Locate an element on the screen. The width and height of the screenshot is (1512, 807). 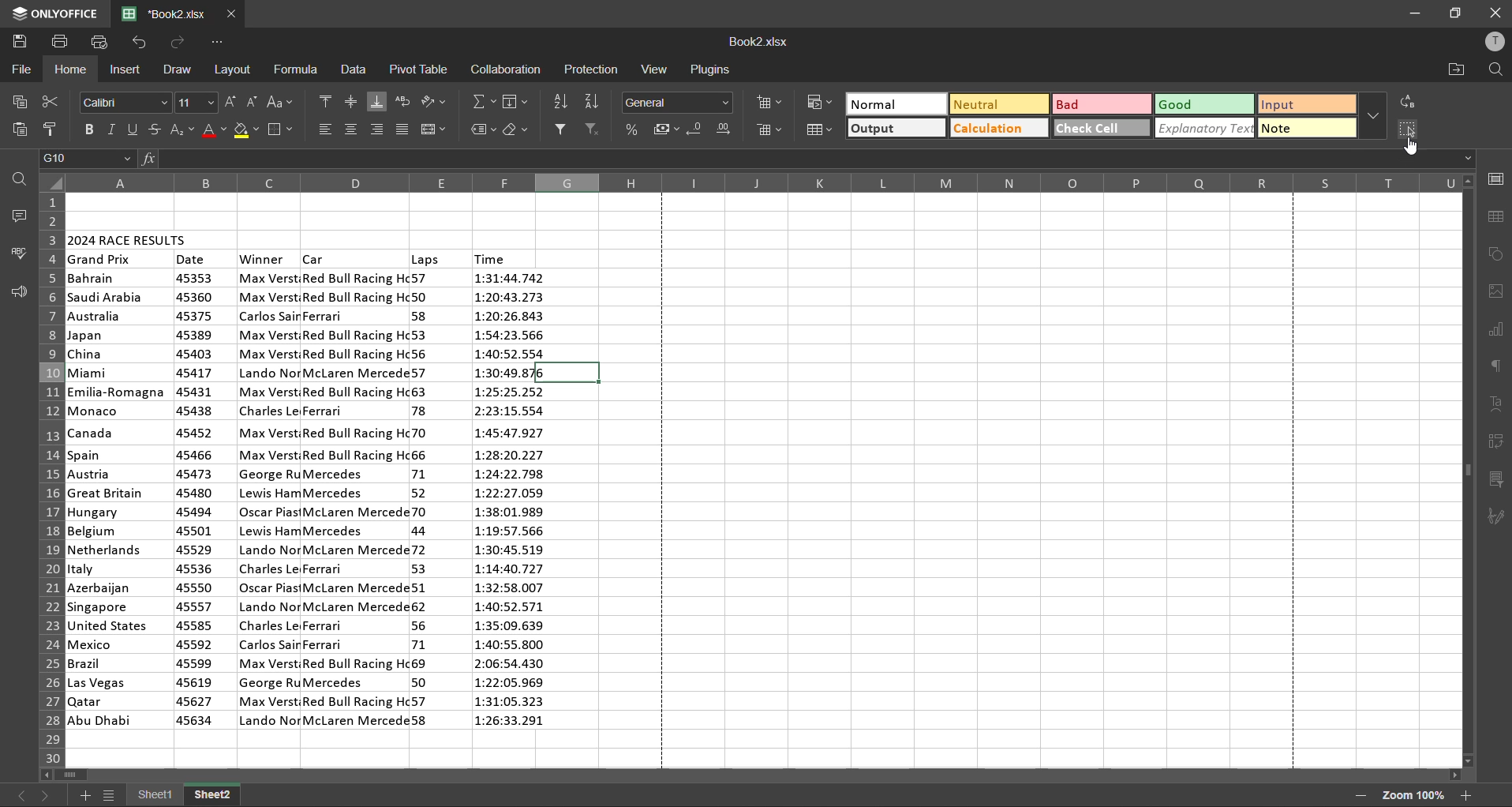
normal is located at coordinates (897, 105).